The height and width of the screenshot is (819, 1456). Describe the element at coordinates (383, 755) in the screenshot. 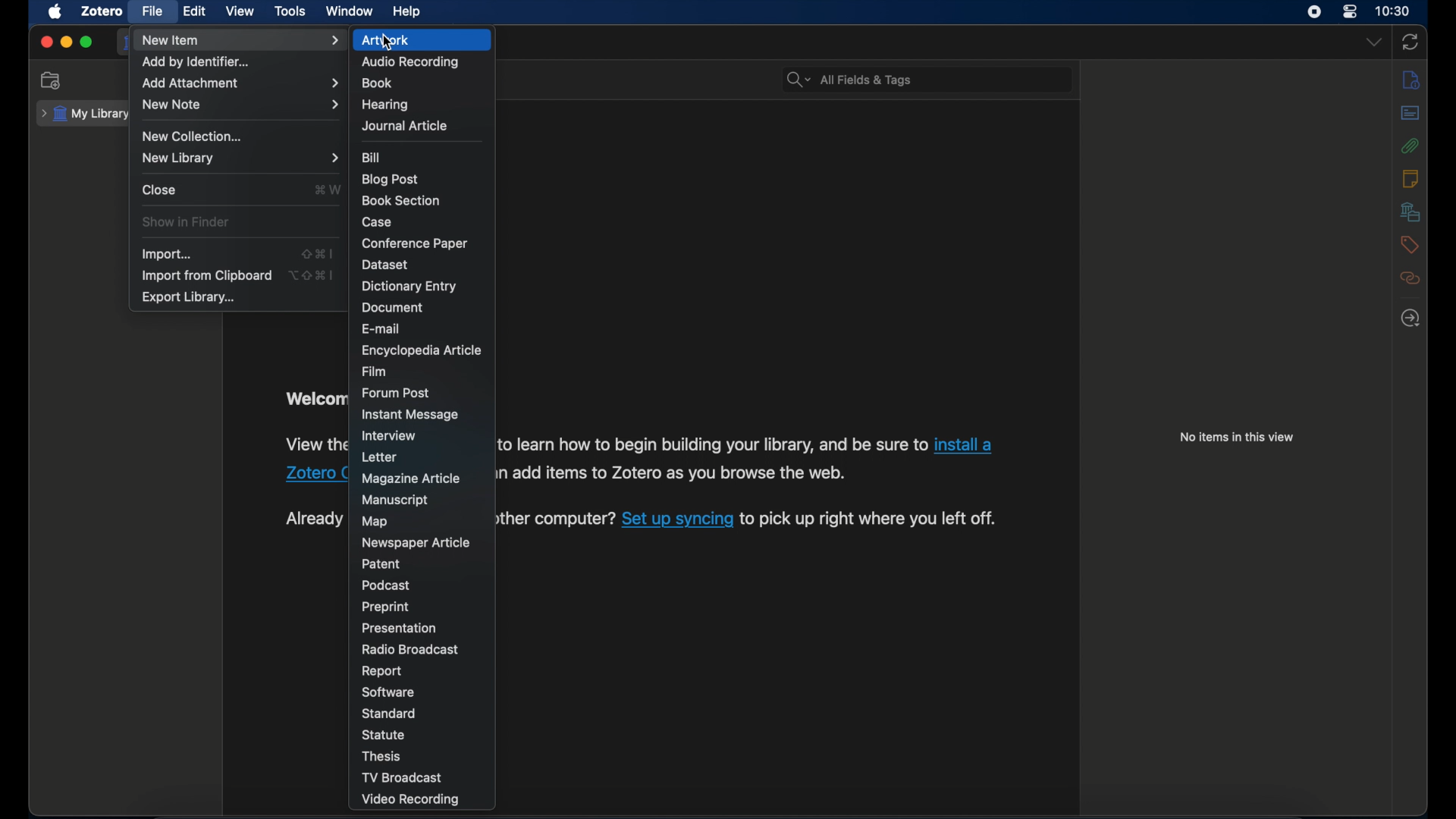

I see `thesis` at that location.